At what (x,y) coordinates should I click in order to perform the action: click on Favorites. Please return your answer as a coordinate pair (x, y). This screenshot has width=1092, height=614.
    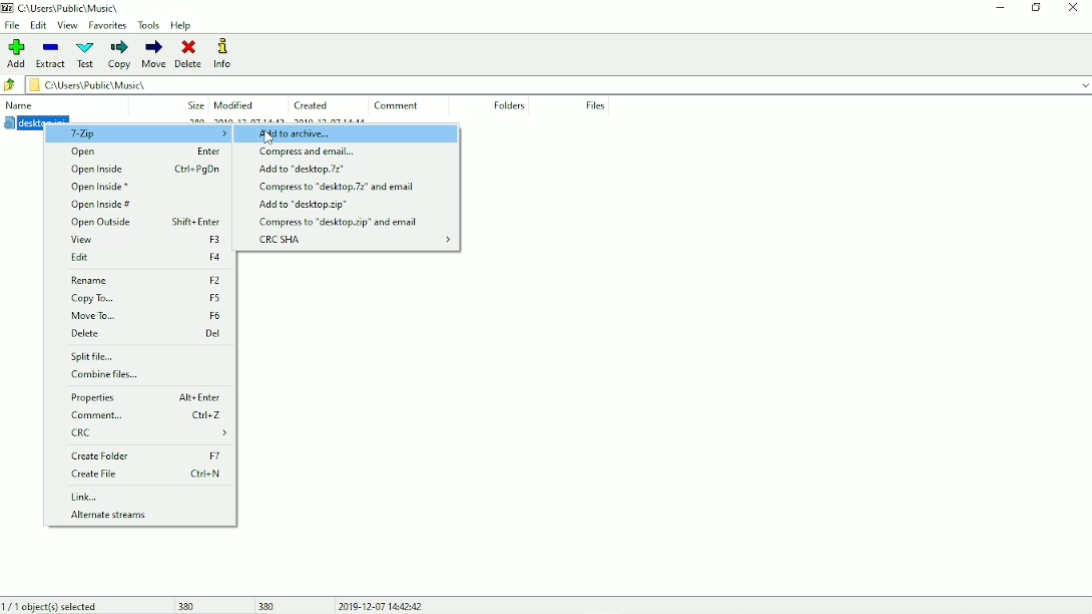
    Looking at the image, I should click on (107, 26).